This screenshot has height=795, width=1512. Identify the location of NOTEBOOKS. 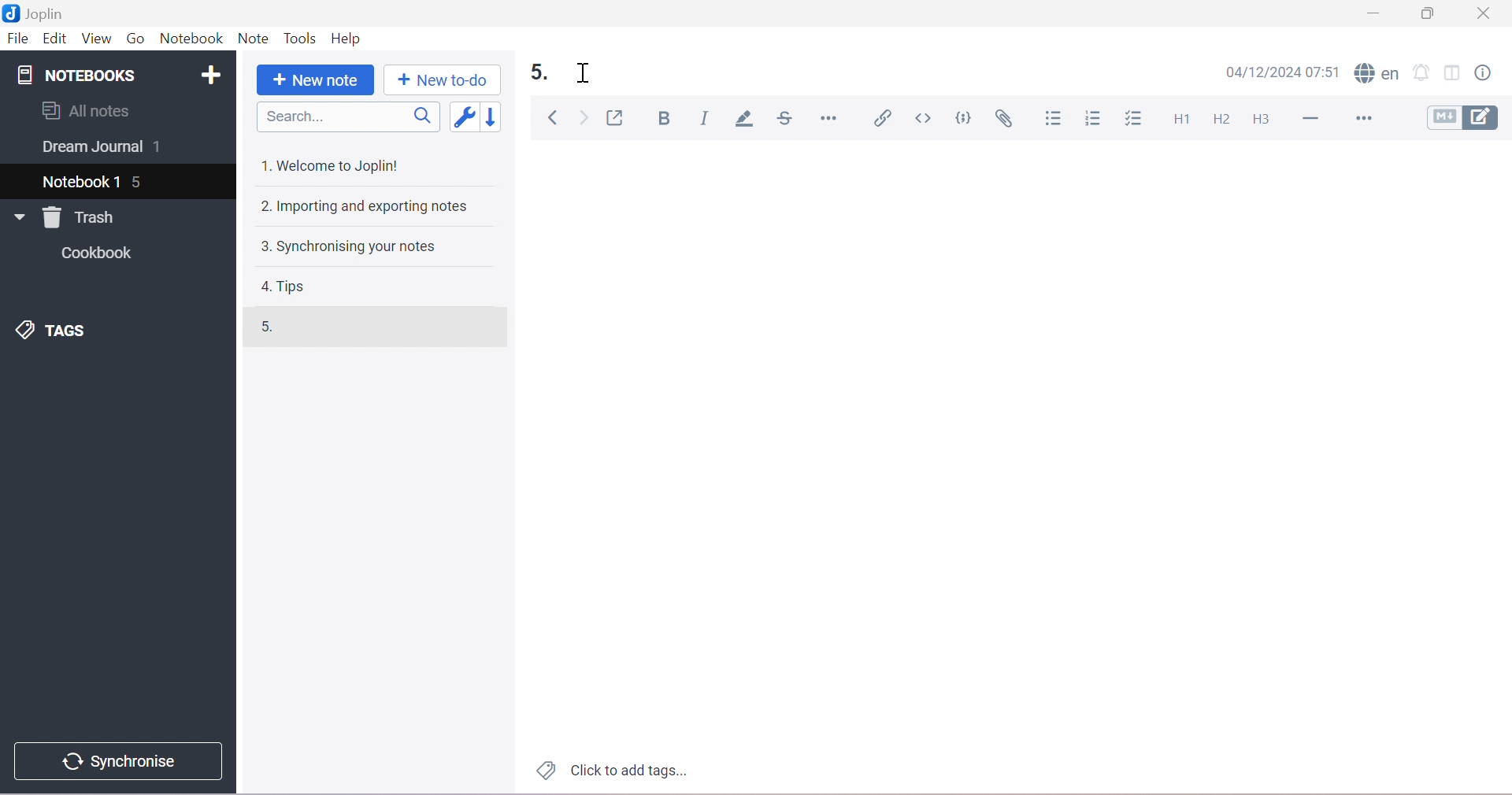
(75, 76).